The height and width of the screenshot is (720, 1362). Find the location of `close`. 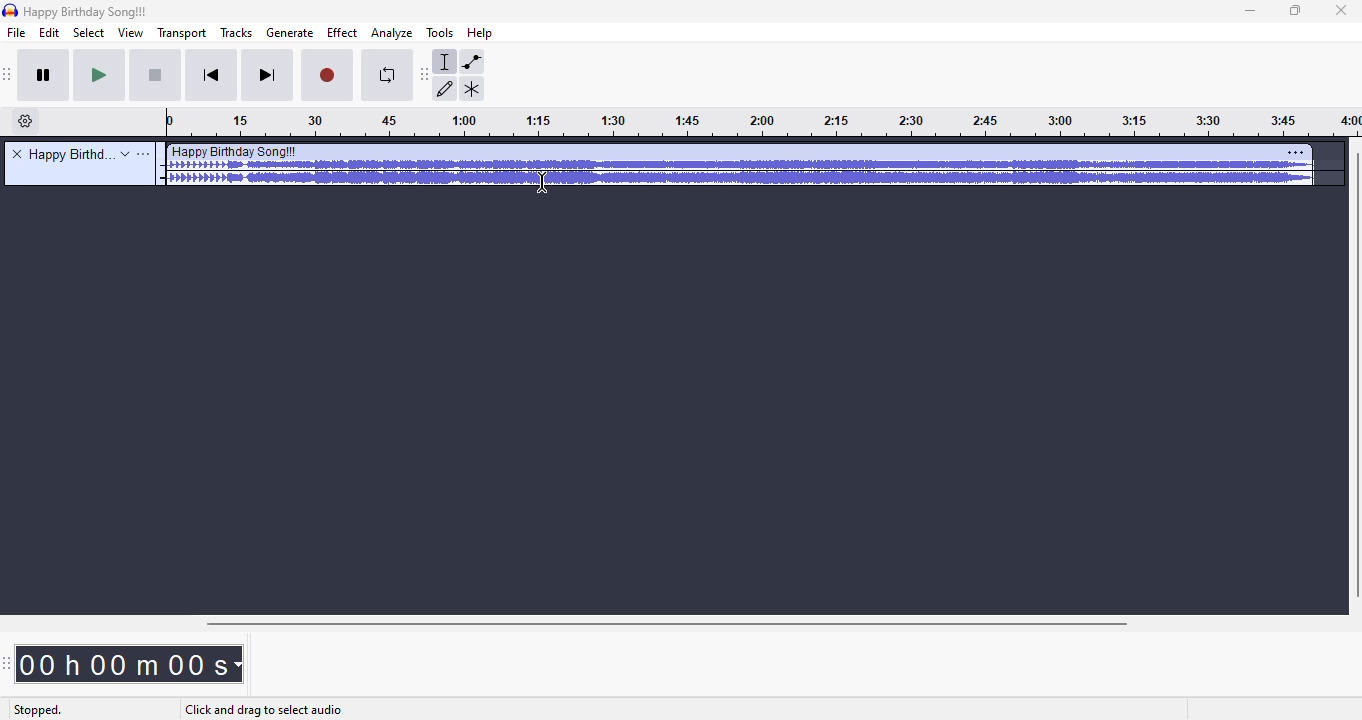

close is located at coordinates (1341, 11).